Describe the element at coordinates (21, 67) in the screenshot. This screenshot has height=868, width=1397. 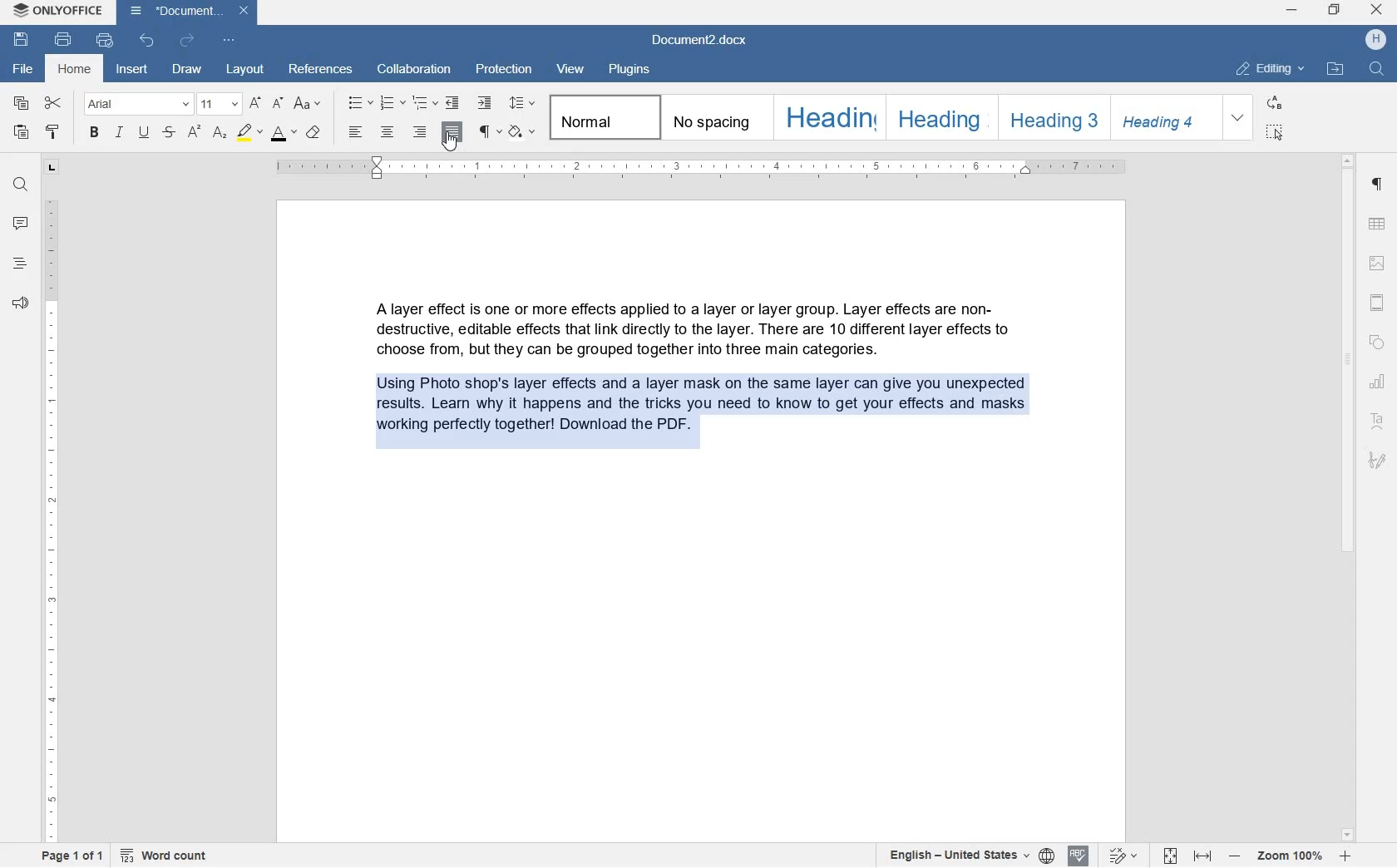
I see `FILE` at that location.